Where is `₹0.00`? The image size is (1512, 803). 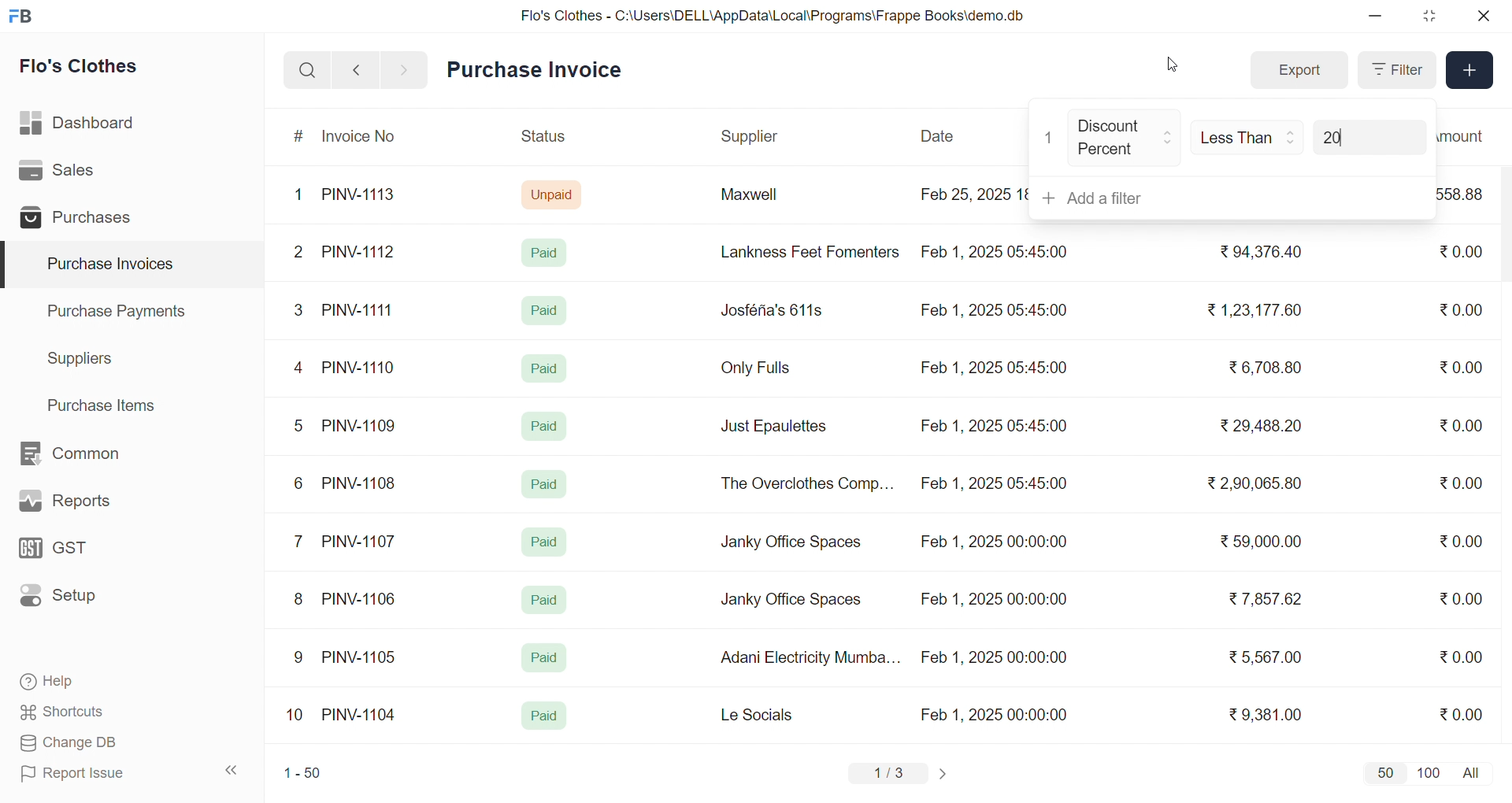
₹0.00 is located at coordinates (1461, 713).